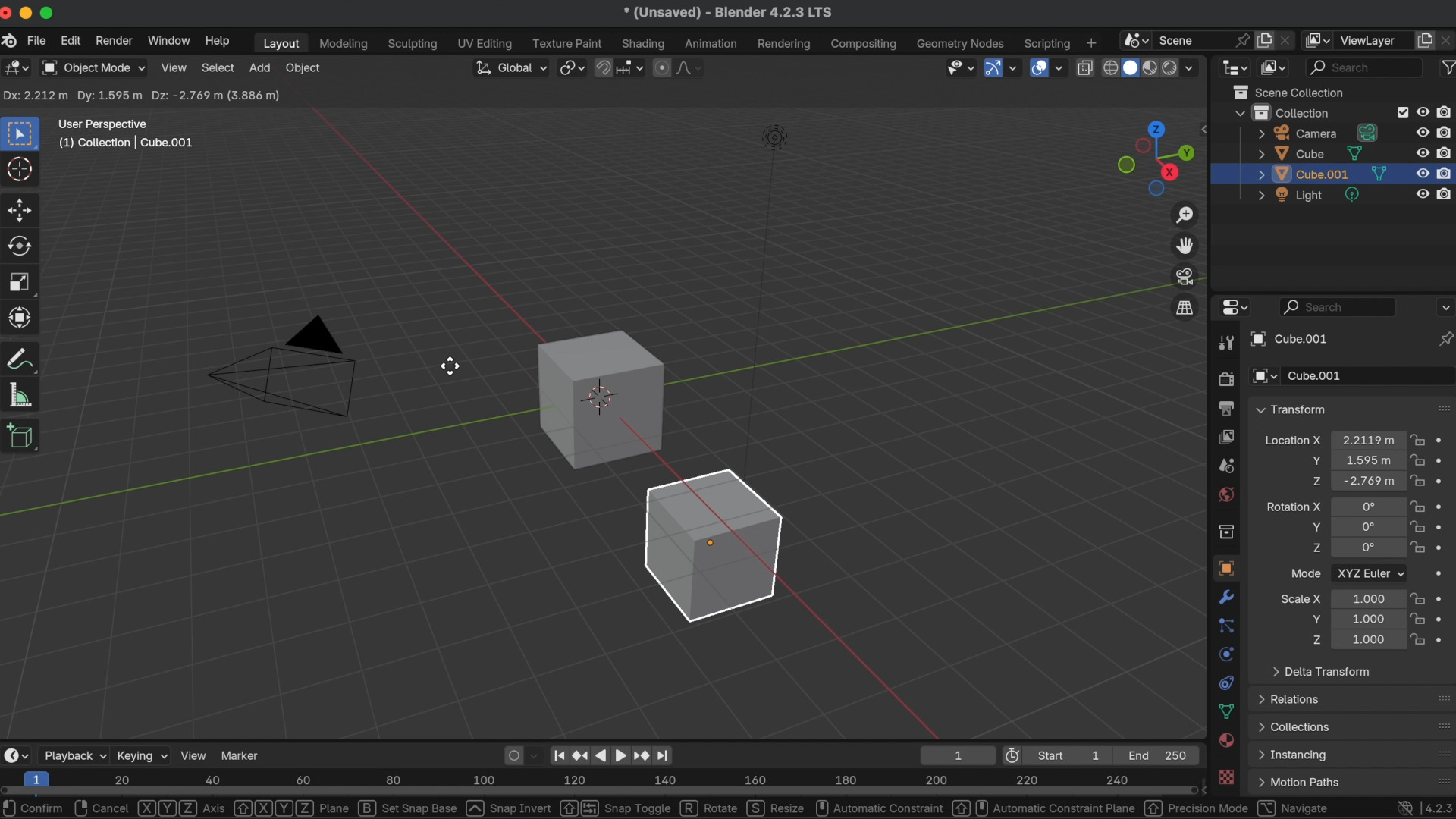 This screenshot has width=1456, height=819. Describe the element at coordinates (1338, 306) in the screenshot. I see `search bar` at that location.